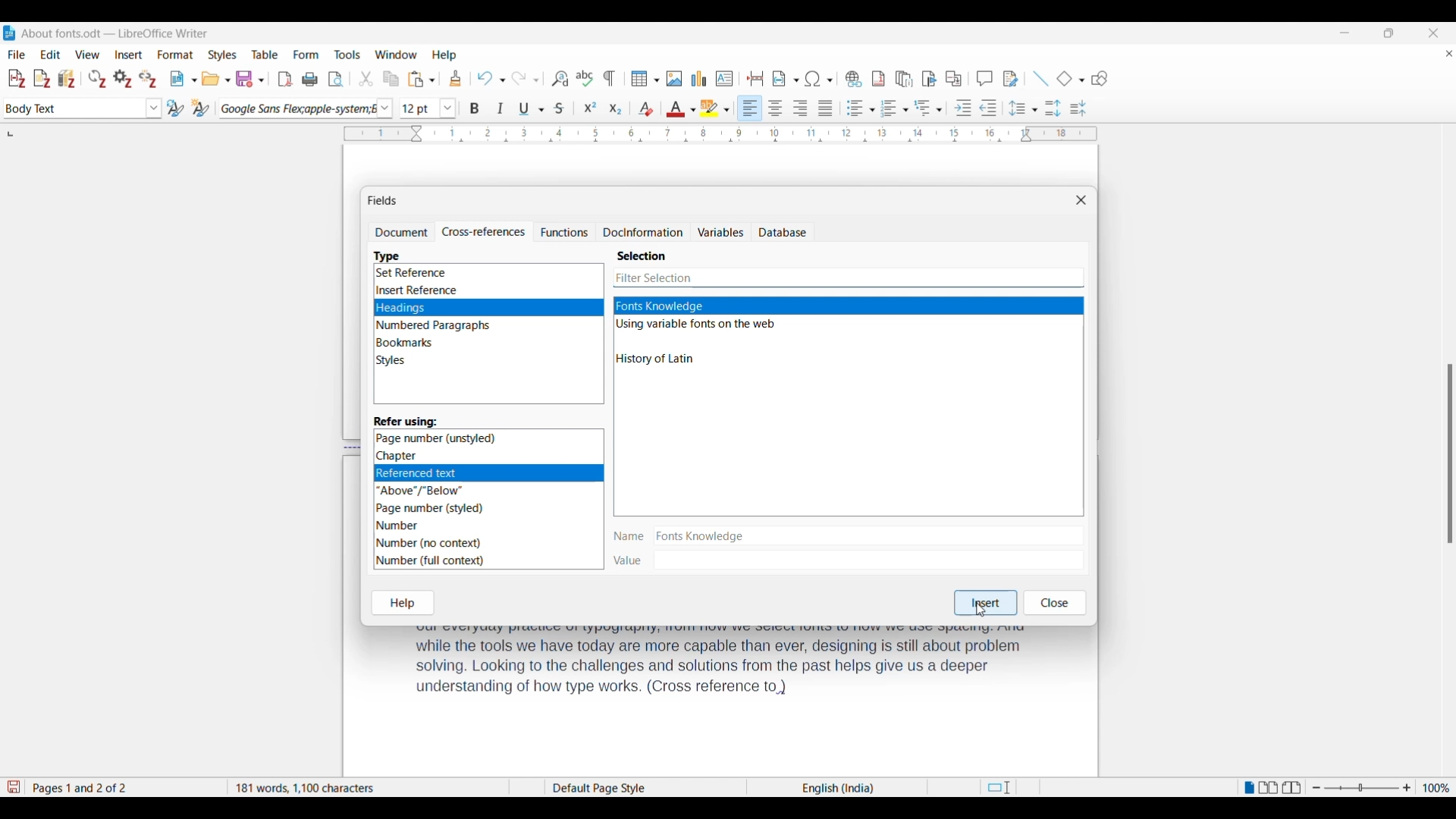 This screenshot has height=819, width=1456. I want to click on Toggle unordered list, so click(861, 108).